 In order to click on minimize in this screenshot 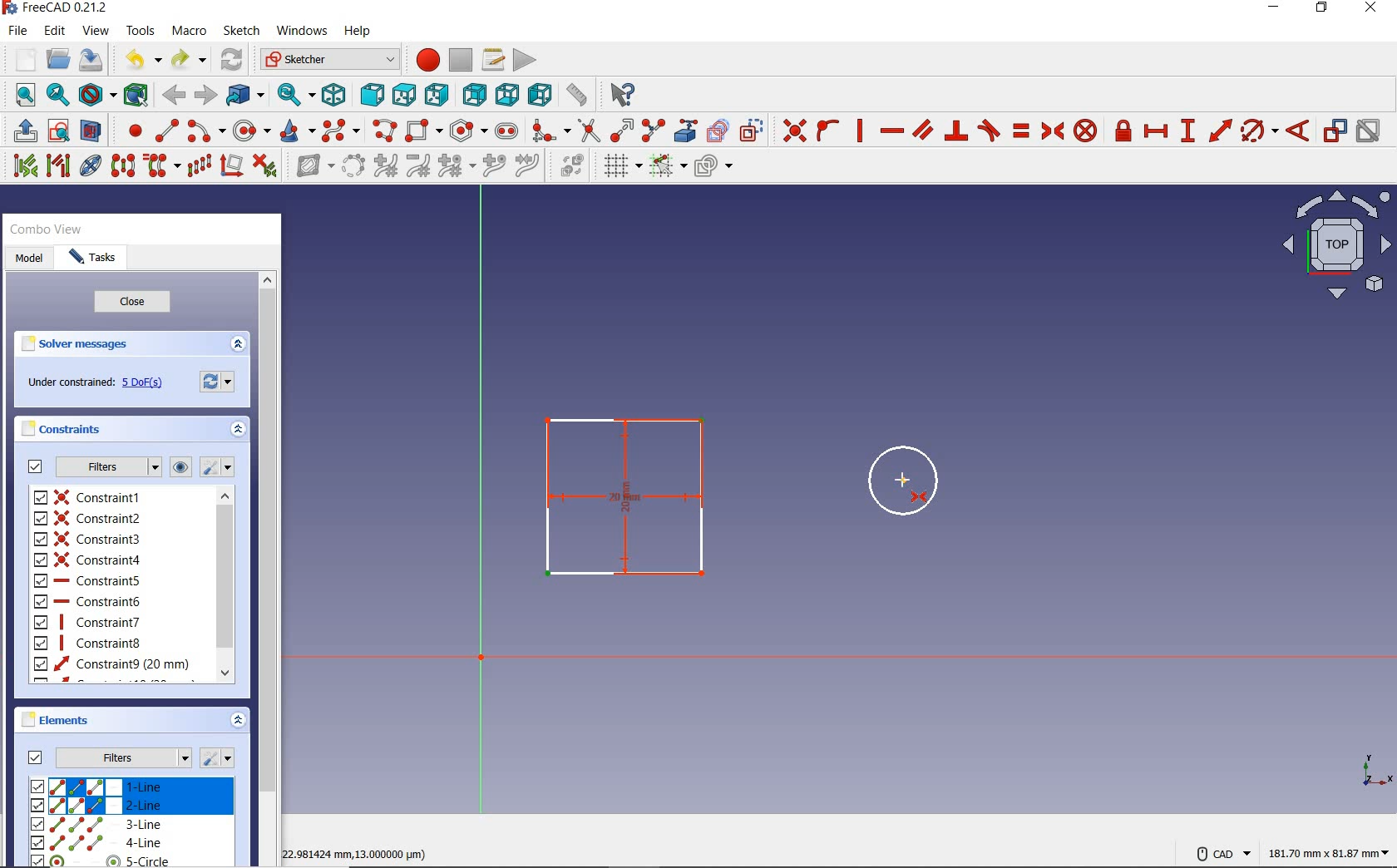, I will do `click(1277, 8)`.